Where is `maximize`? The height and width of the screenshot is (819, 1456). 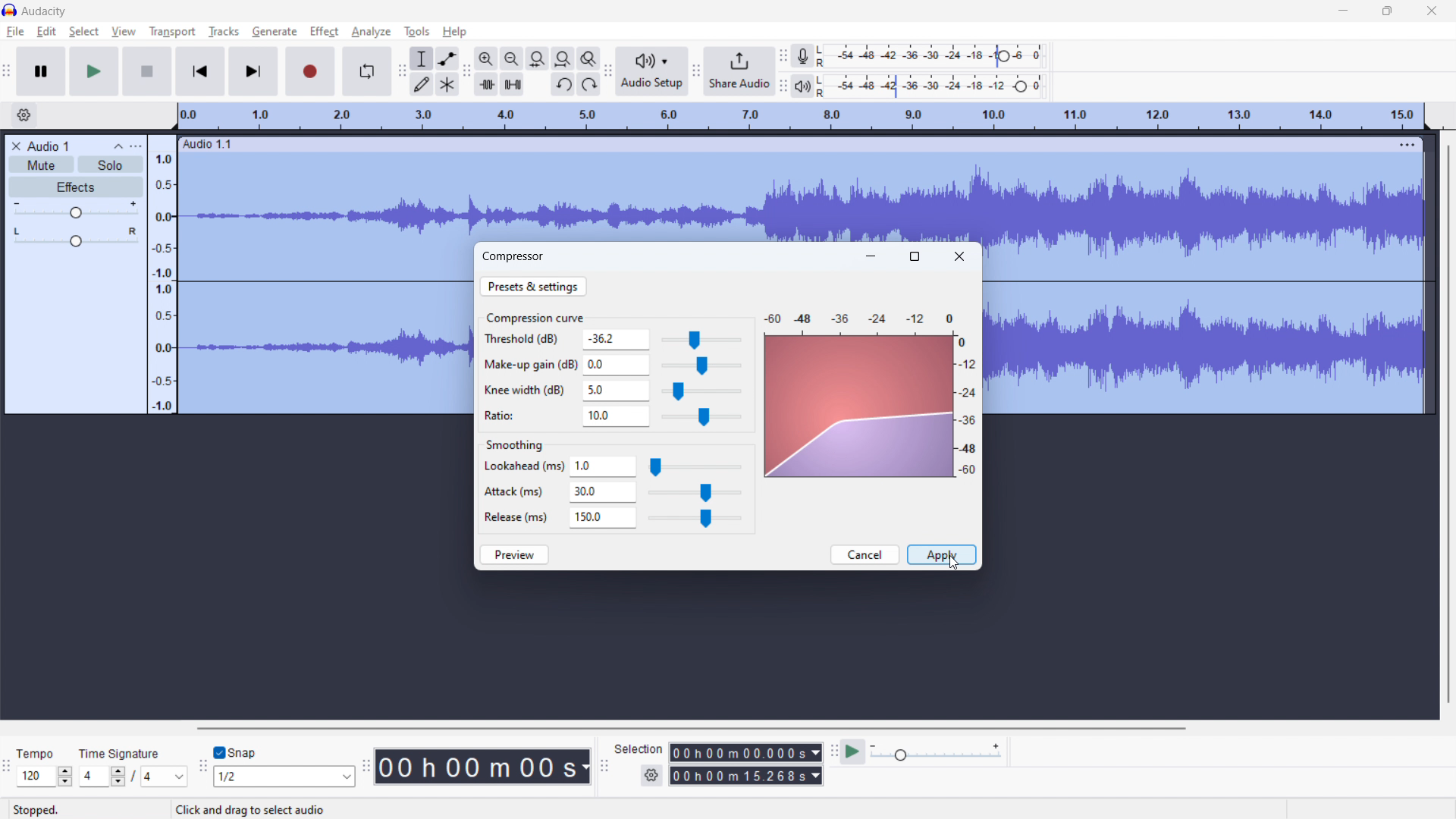 maximize is located at coordinates (1388, 11).